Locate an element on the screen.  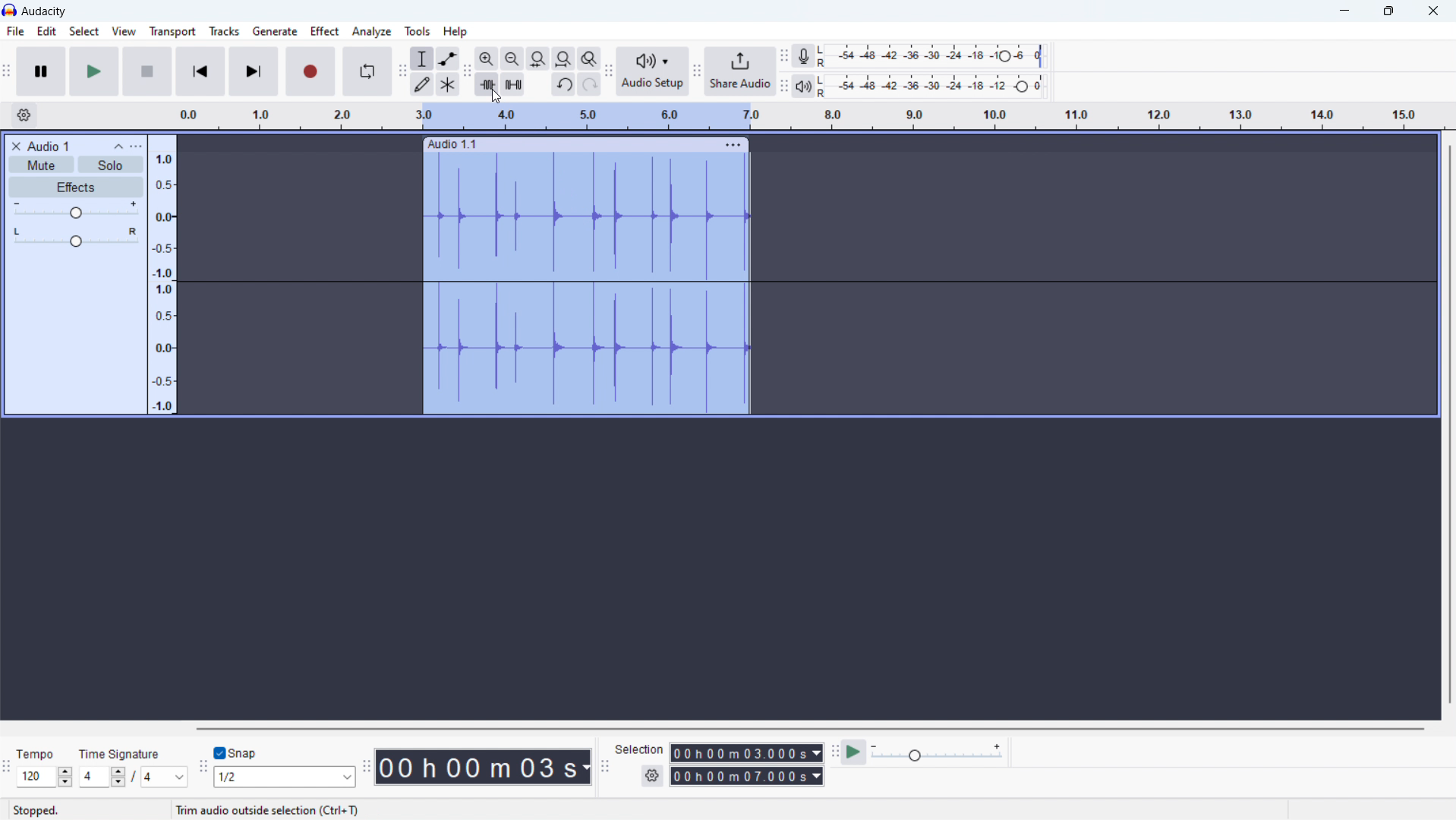
play at speed toolbar is located at coordinates (834, 752).